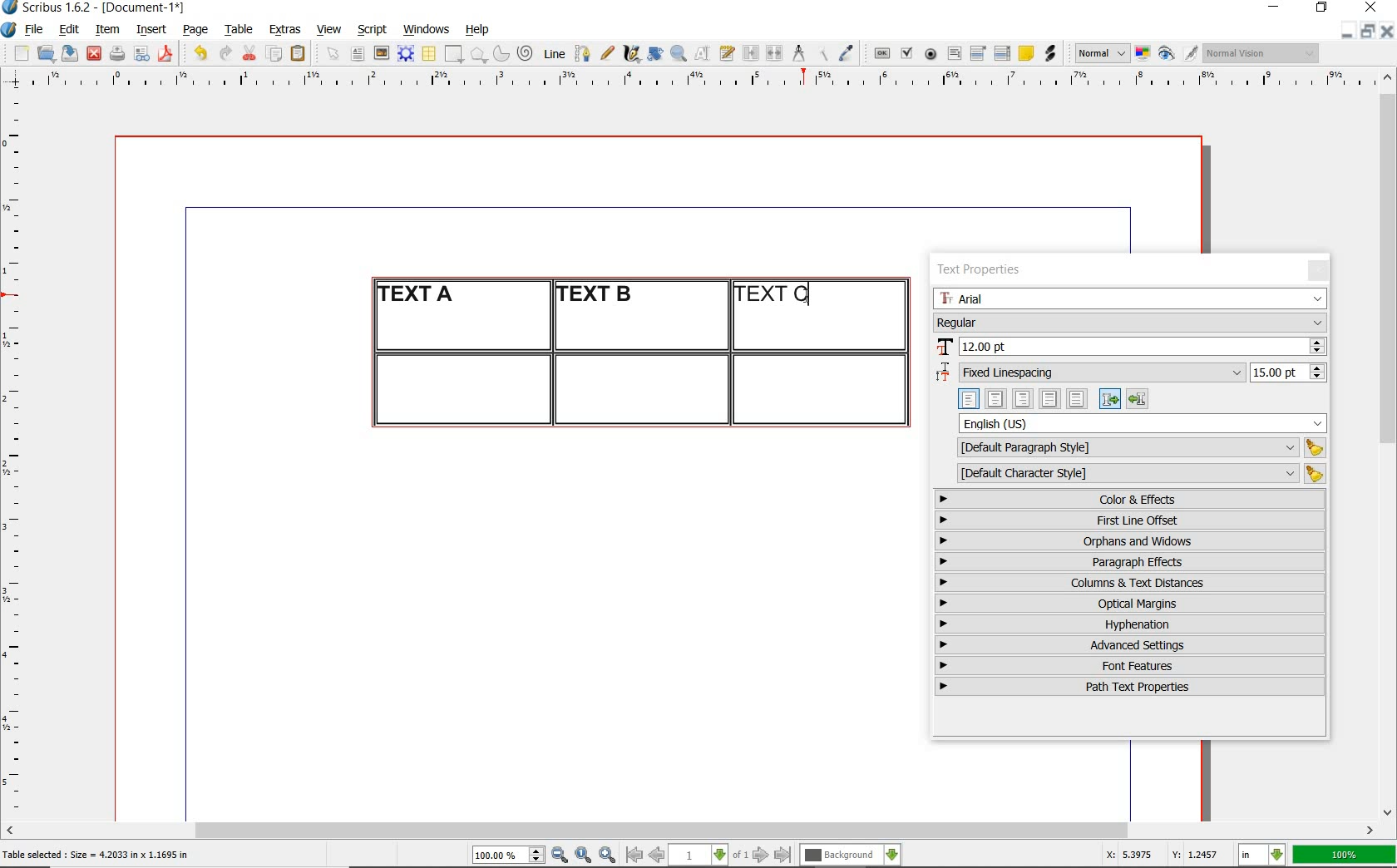 The width and height of the screenshot is (1397, 868). What do you see at coordinates (1262, 856) in the screenshot?
I see `select the current unit` at bounding box center [1262, 856].